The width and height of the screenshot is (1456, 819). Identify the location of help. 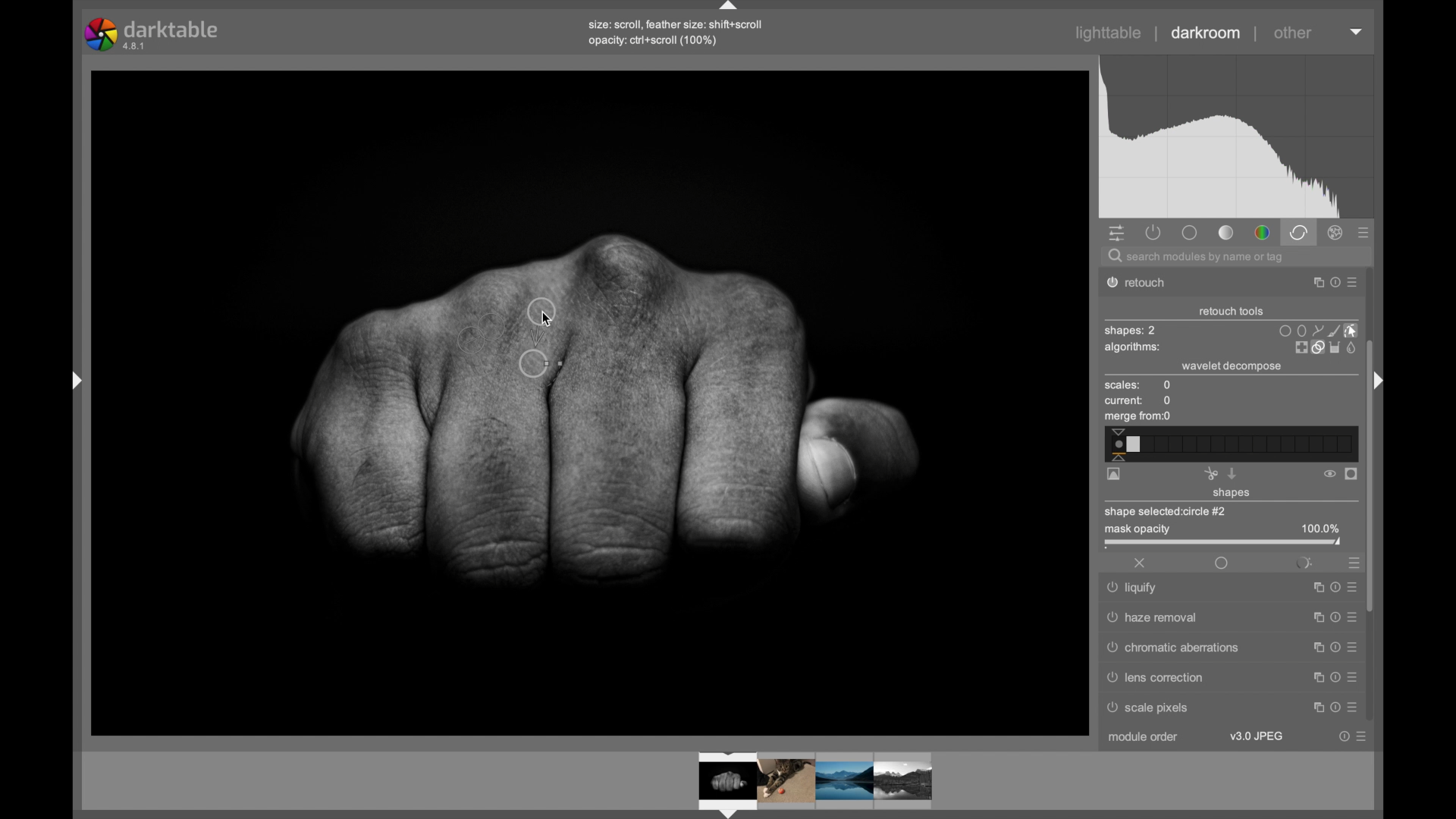
(1332, 587).